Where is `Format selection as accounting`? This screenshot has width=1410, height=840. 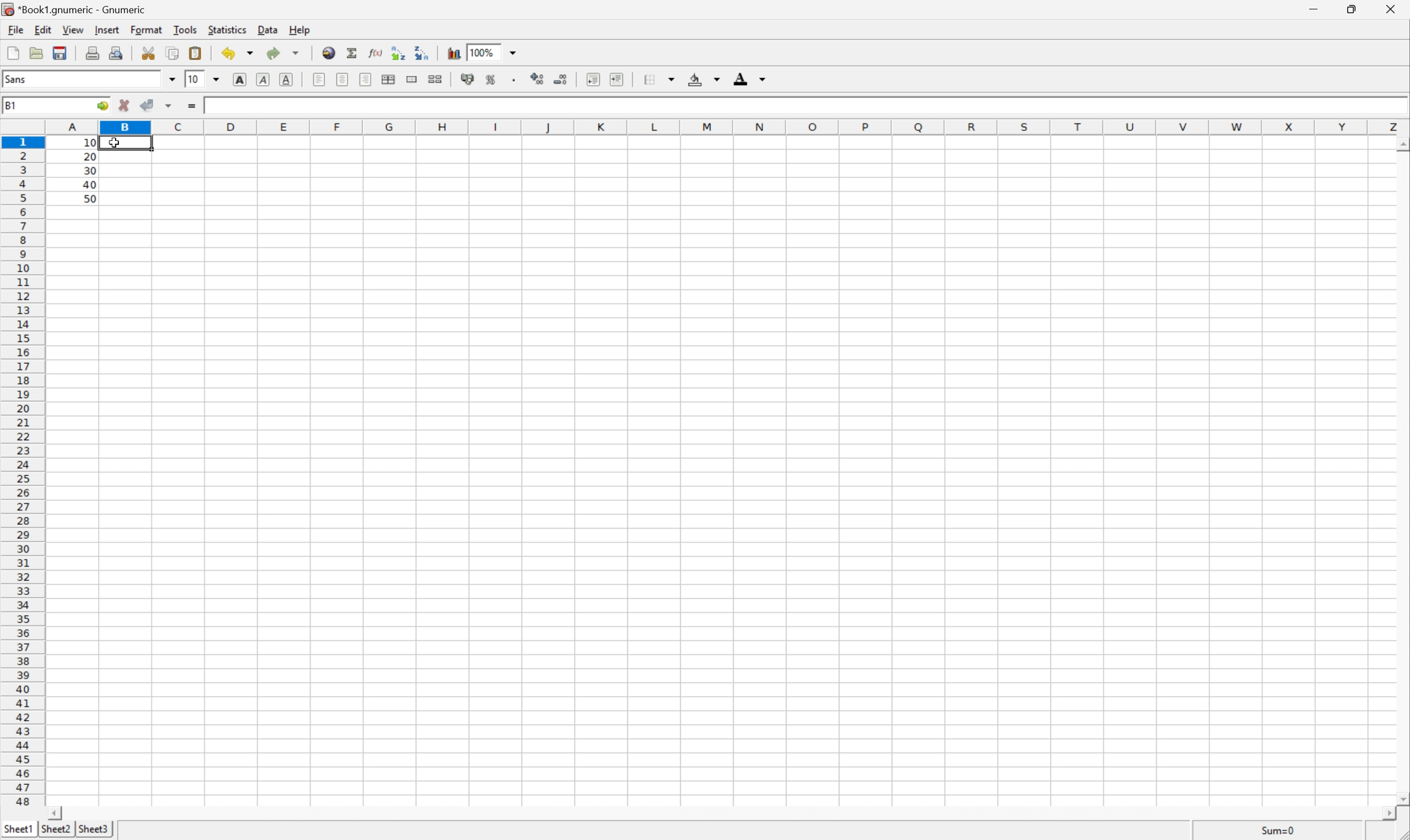
Format selection as accounting is located at coordinates (468, 78).